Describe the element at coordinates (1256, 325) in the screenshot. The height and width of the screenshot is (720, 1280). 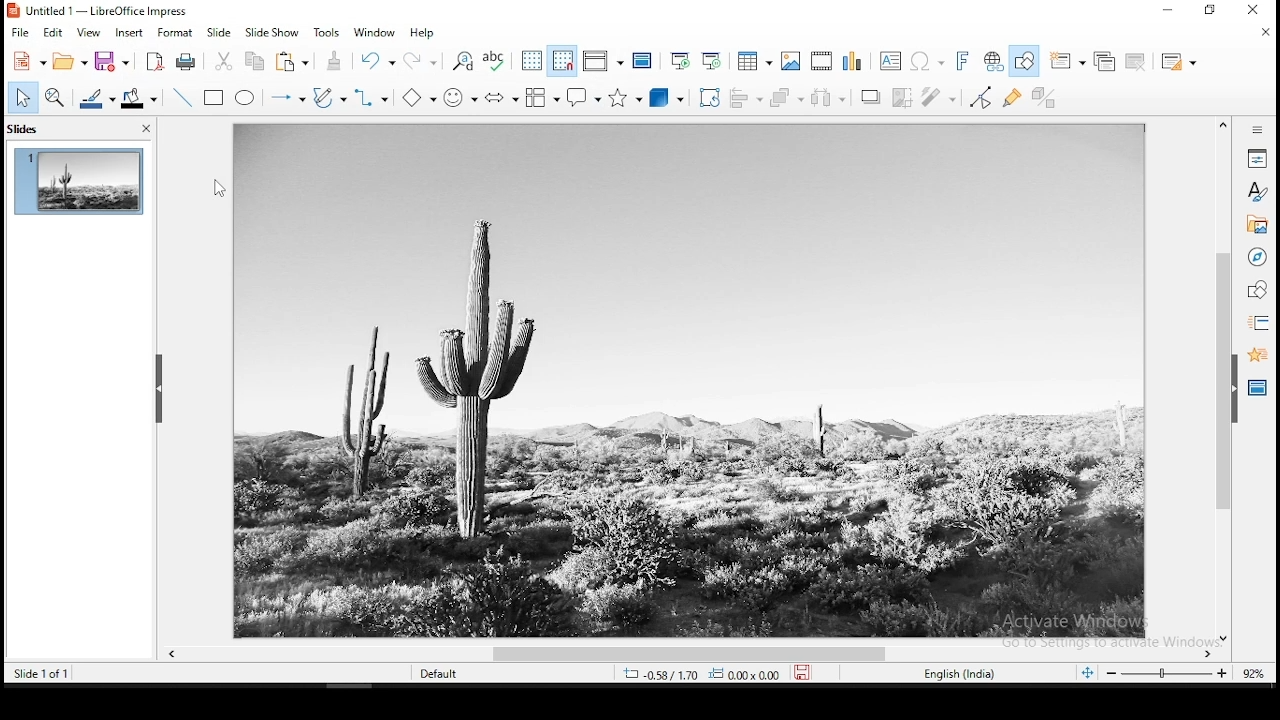
I see `slide transition` at that location.